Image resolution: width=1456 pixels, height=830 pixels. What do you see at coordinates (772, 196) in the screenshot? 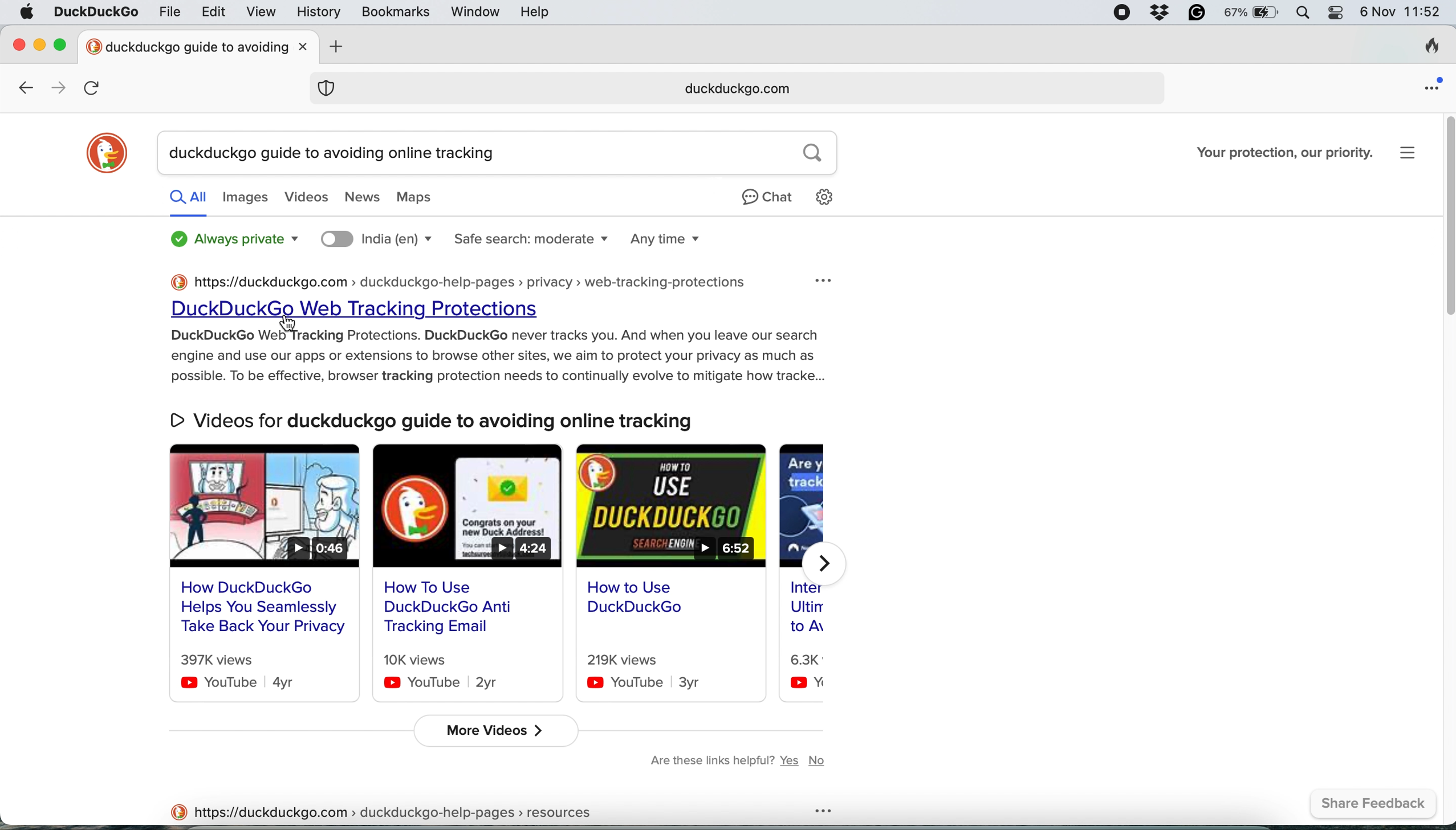
I see `chat` at bounding box center [772, 196].